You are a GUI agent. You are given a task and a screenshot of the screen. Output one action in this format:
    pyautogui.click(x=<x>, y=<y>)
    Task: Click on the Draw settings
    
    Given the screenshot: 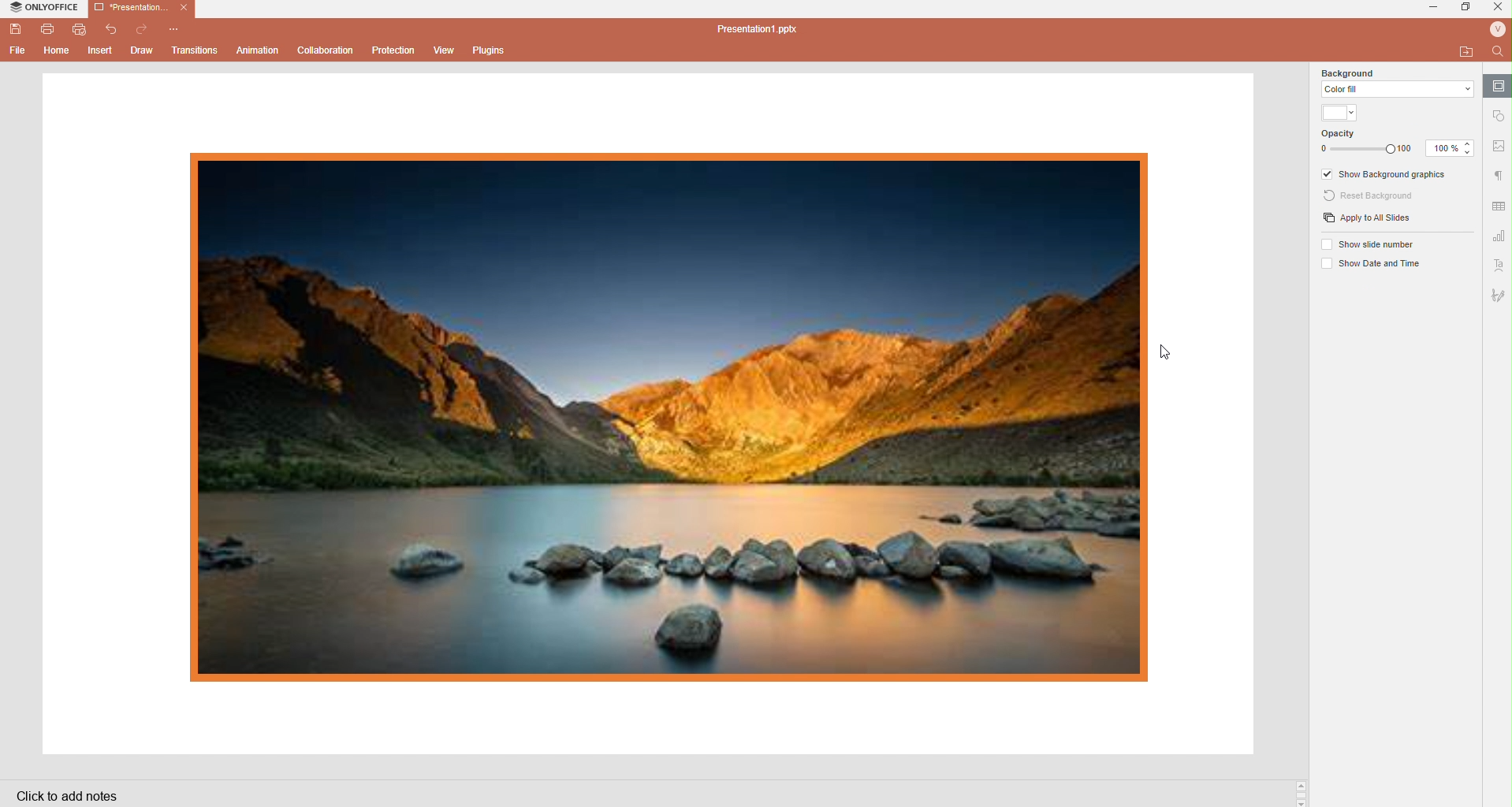 What is the action you would take?
    pyautogui.click(x=1498, y=296)
    